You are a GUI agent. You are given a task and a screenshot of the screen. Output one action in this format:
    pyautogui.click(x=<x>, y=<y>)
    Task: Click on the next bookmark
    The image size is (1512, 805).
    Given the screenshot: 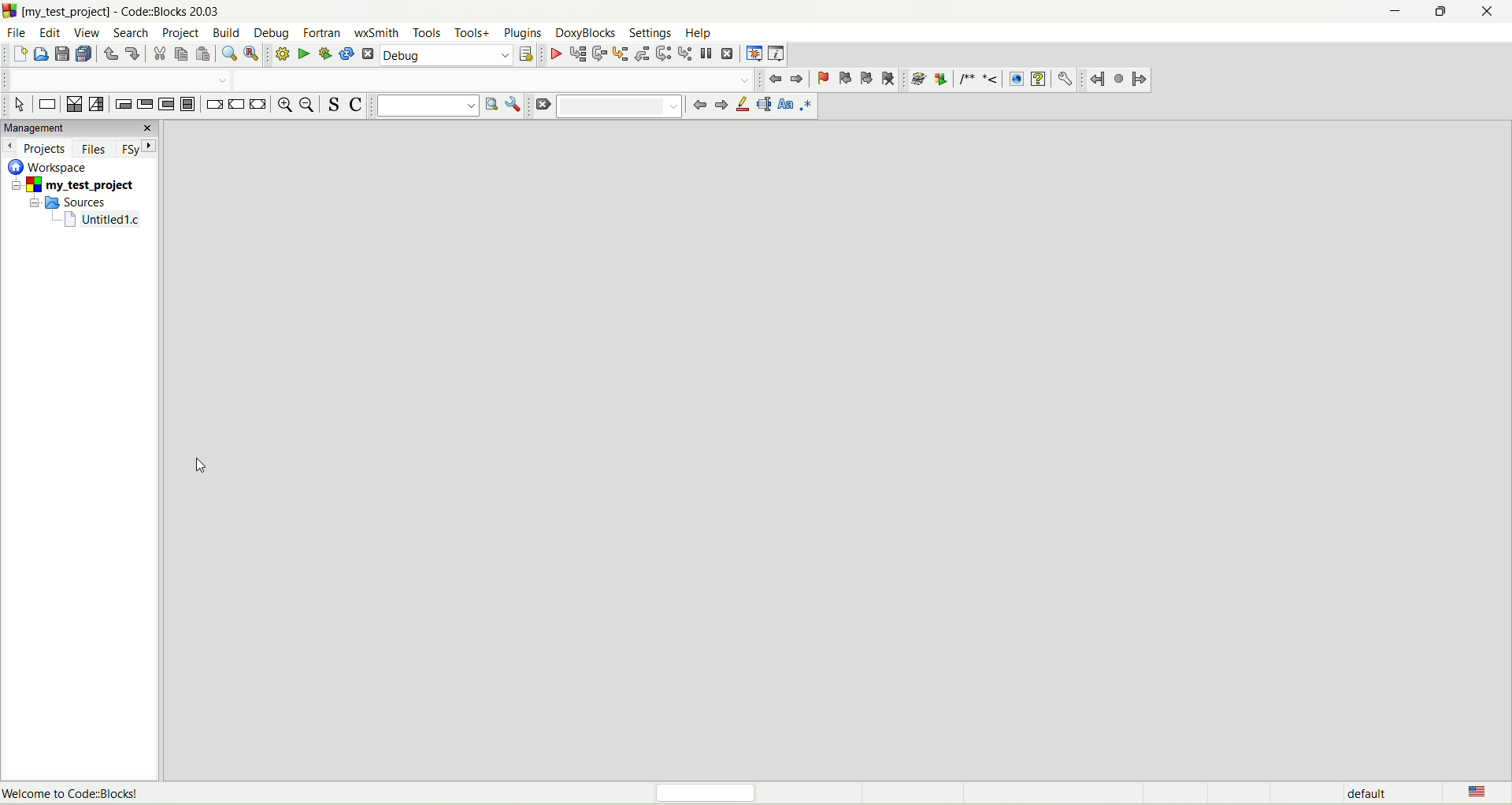 What is the action you would take?
    pyautogui.click(x=867, y=79)
    